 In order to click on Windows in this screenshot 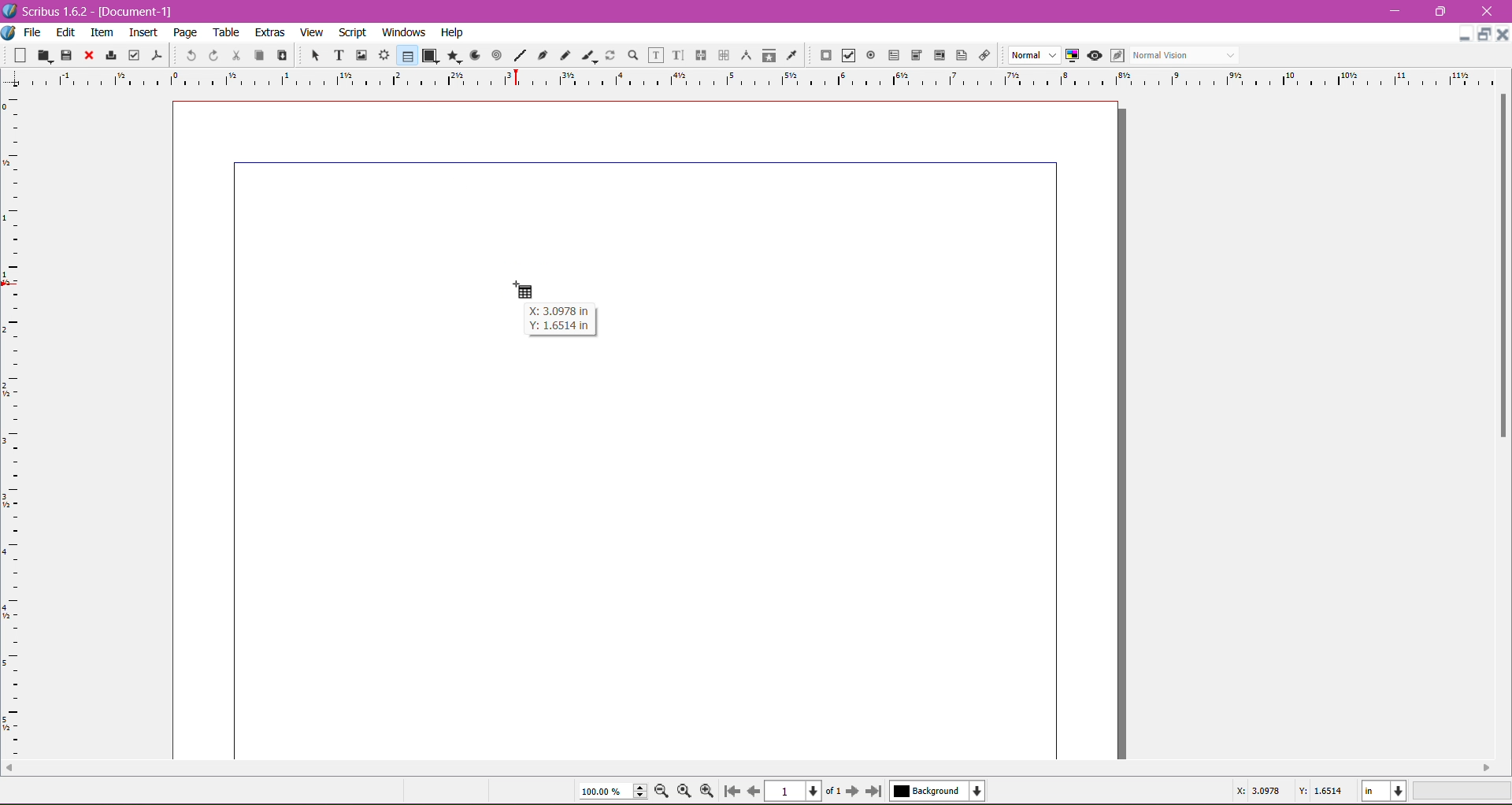, I will do `click(402, 32)`.